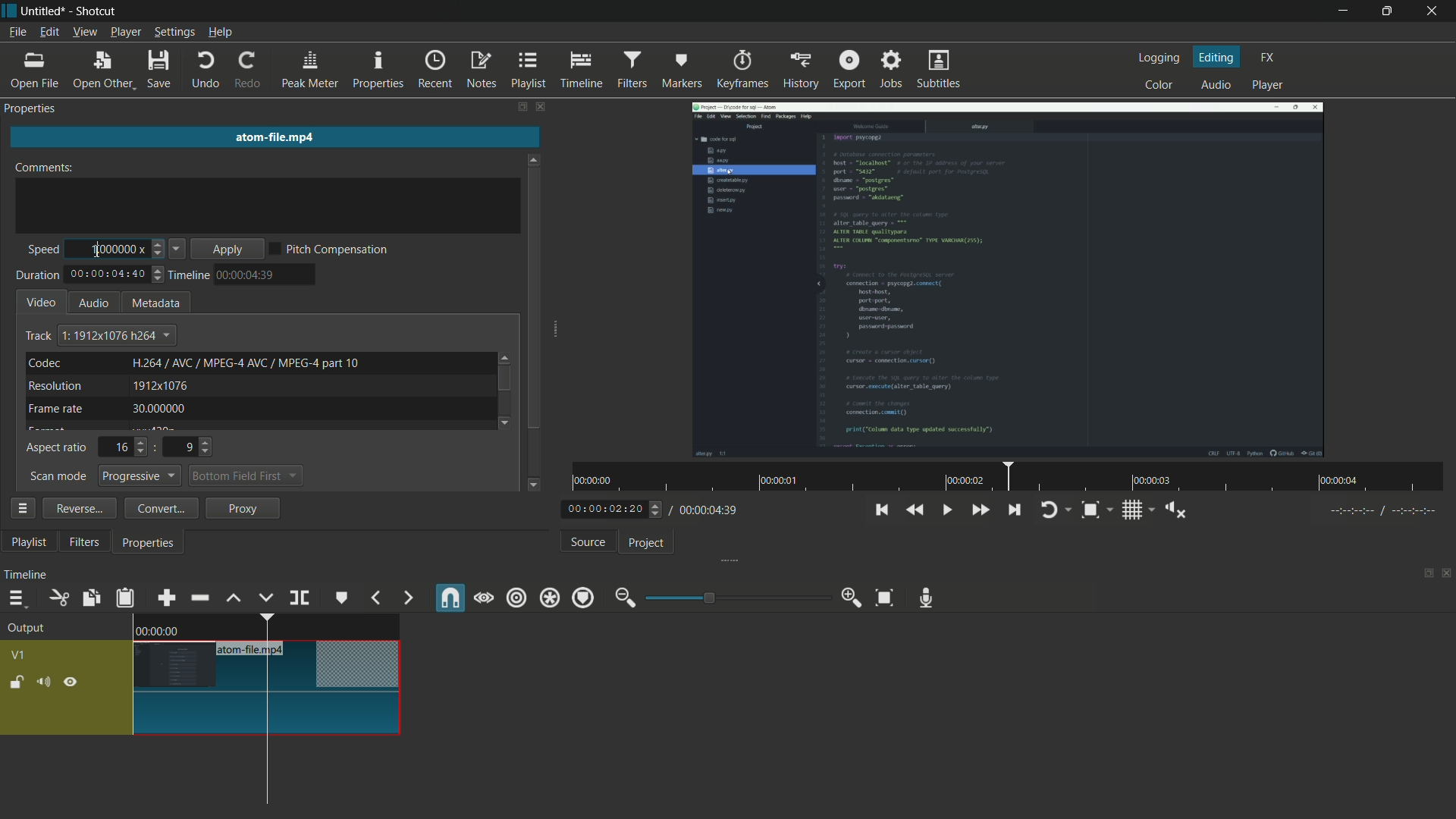 The height and width of the screenshot is (819, 1456). Describe the element at coordinates (56, 598) in the screenshot. I see `cut` at that location.